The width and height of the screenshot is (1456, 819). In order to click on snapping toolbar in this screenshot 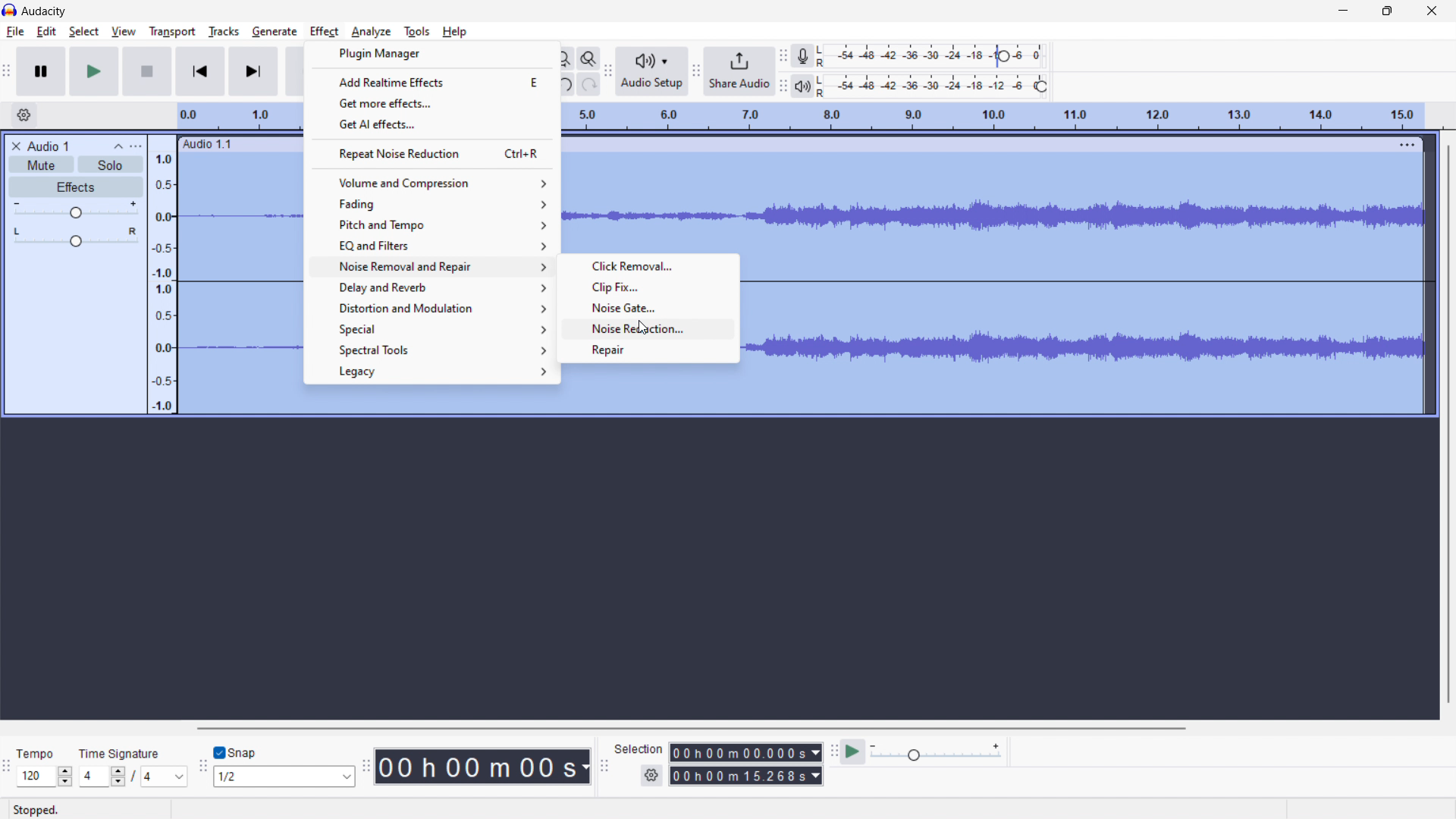, I will do `click(203, 764)`.